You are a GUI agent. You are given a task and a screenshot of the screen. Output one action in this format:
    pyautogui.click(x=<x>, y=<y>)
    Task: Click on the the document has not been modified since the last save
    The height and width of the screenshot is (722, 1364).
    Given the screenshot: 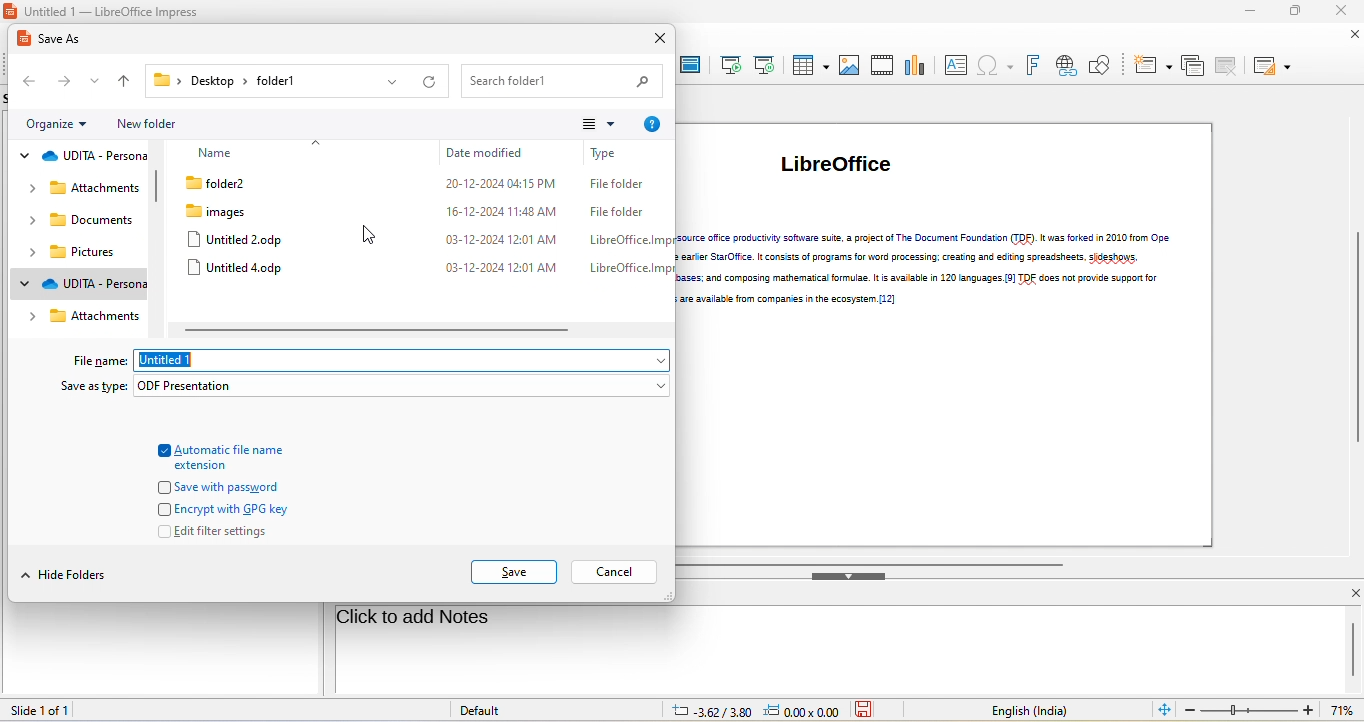 What is the action you would take?
    pyautogui.click(x=871, y=710)
    